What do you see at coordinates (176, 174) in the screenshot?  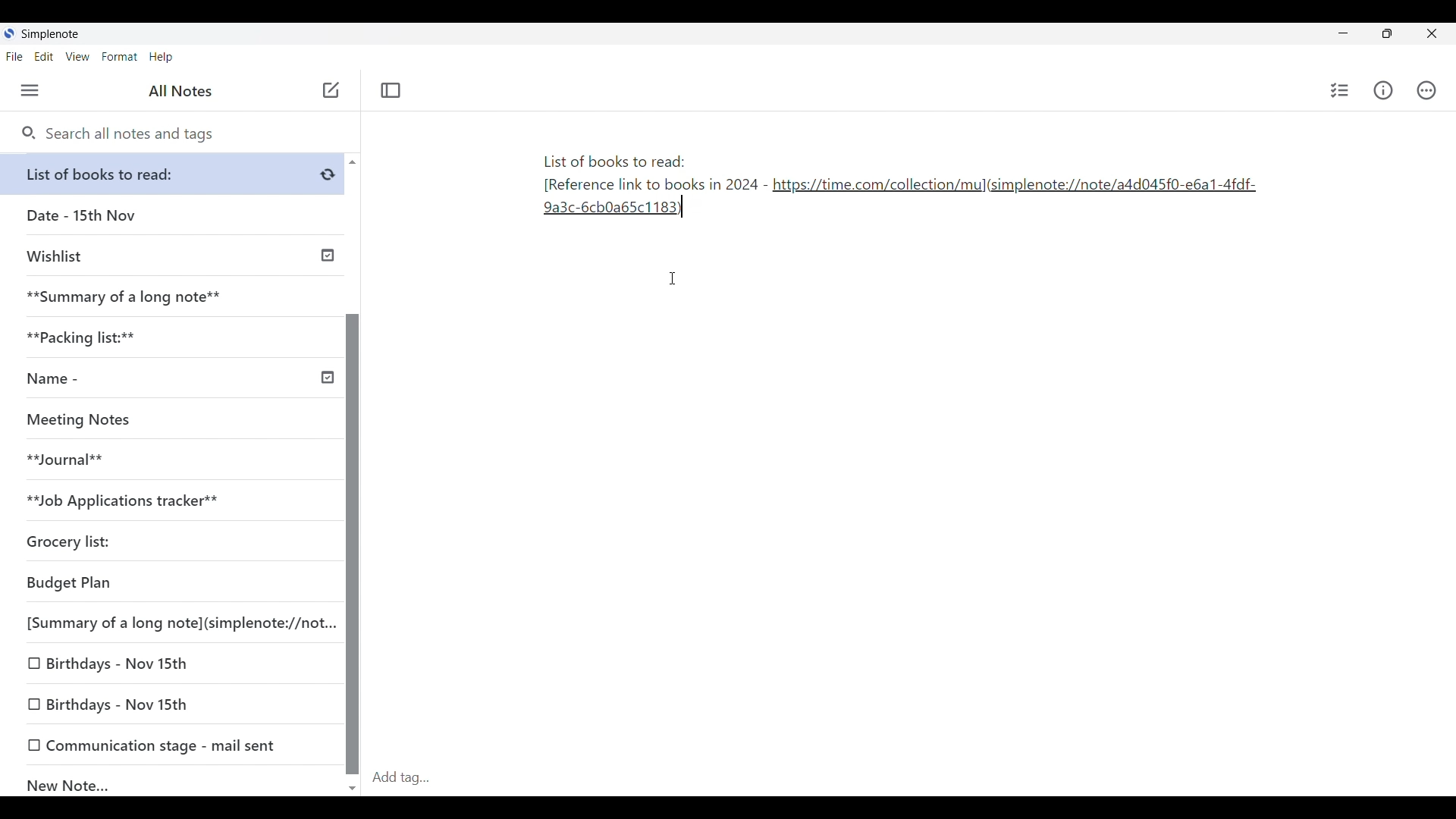 I see `List of books to read:` at bounding box center [176, 174].